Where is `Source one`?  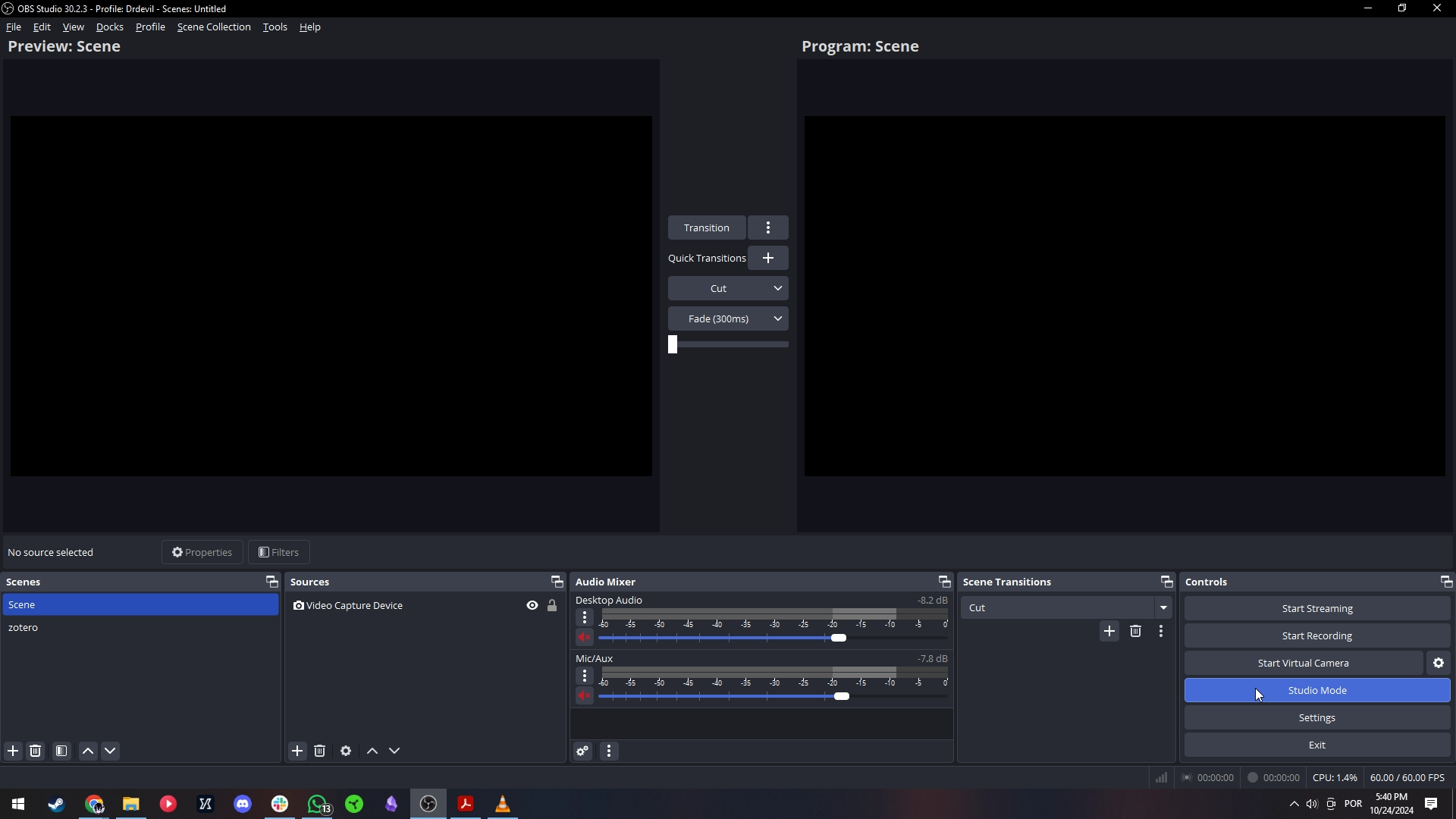
Source one is located at coordinates (403, 605).